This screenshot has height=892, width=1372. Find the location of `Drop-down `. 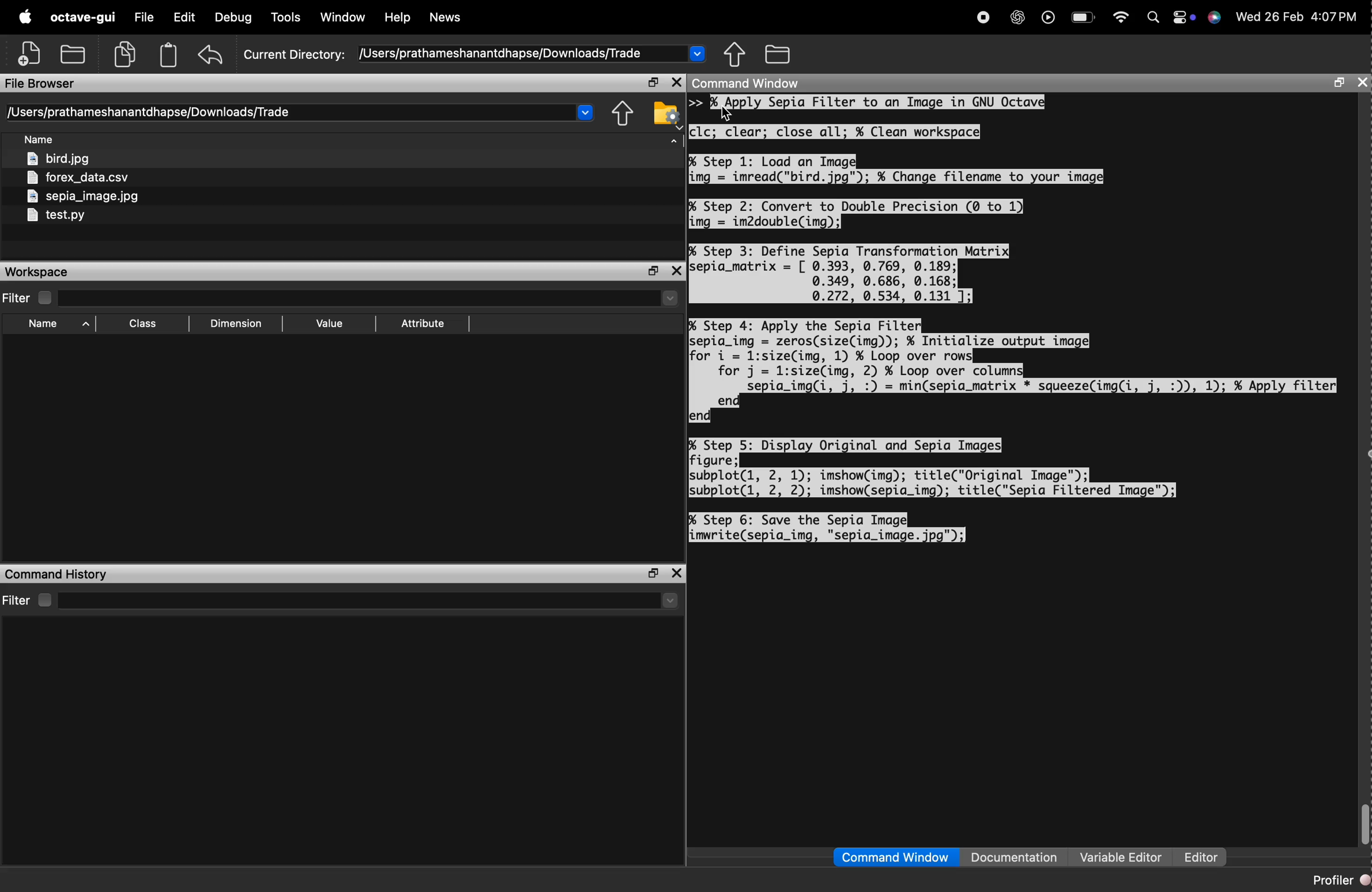

Drop-down  is located at coordinates (672, 601).